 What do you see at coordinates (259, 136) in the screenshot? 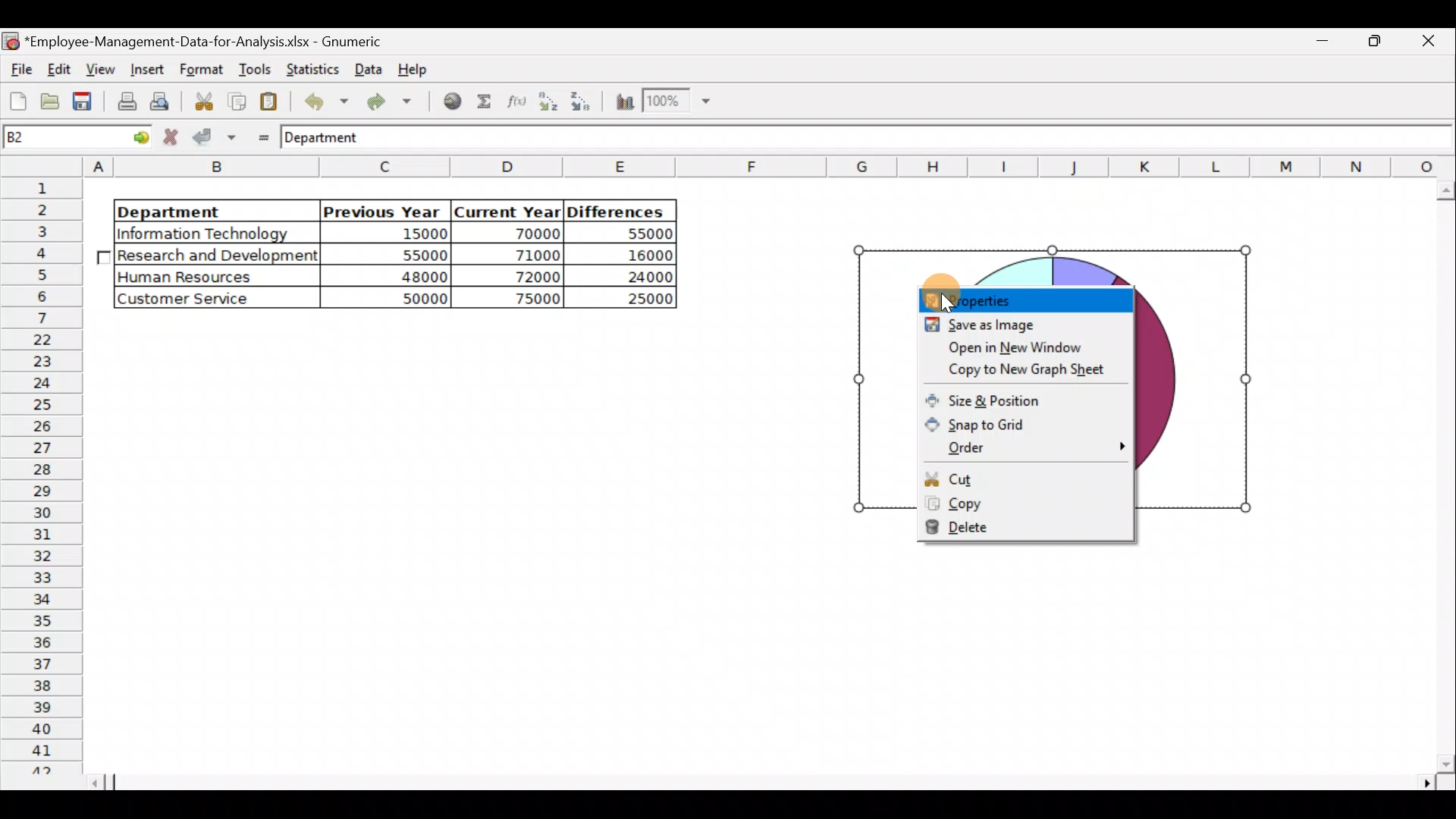
I see `Enter formula` at bounding box center [259, 136].